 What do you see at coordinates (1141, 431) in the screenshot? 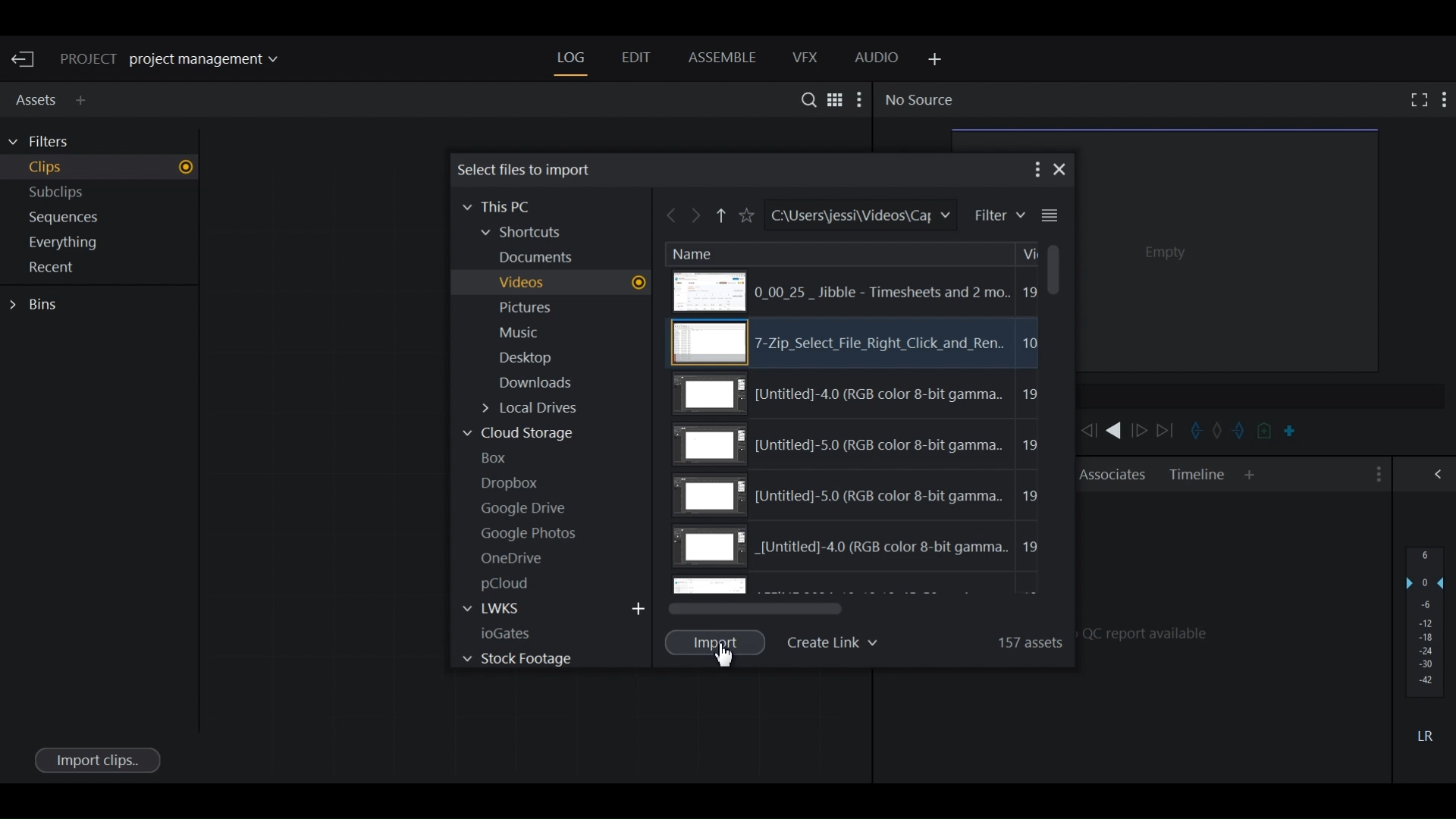
I see `Nudge one frame forward` at bounding box center [1141, 431].